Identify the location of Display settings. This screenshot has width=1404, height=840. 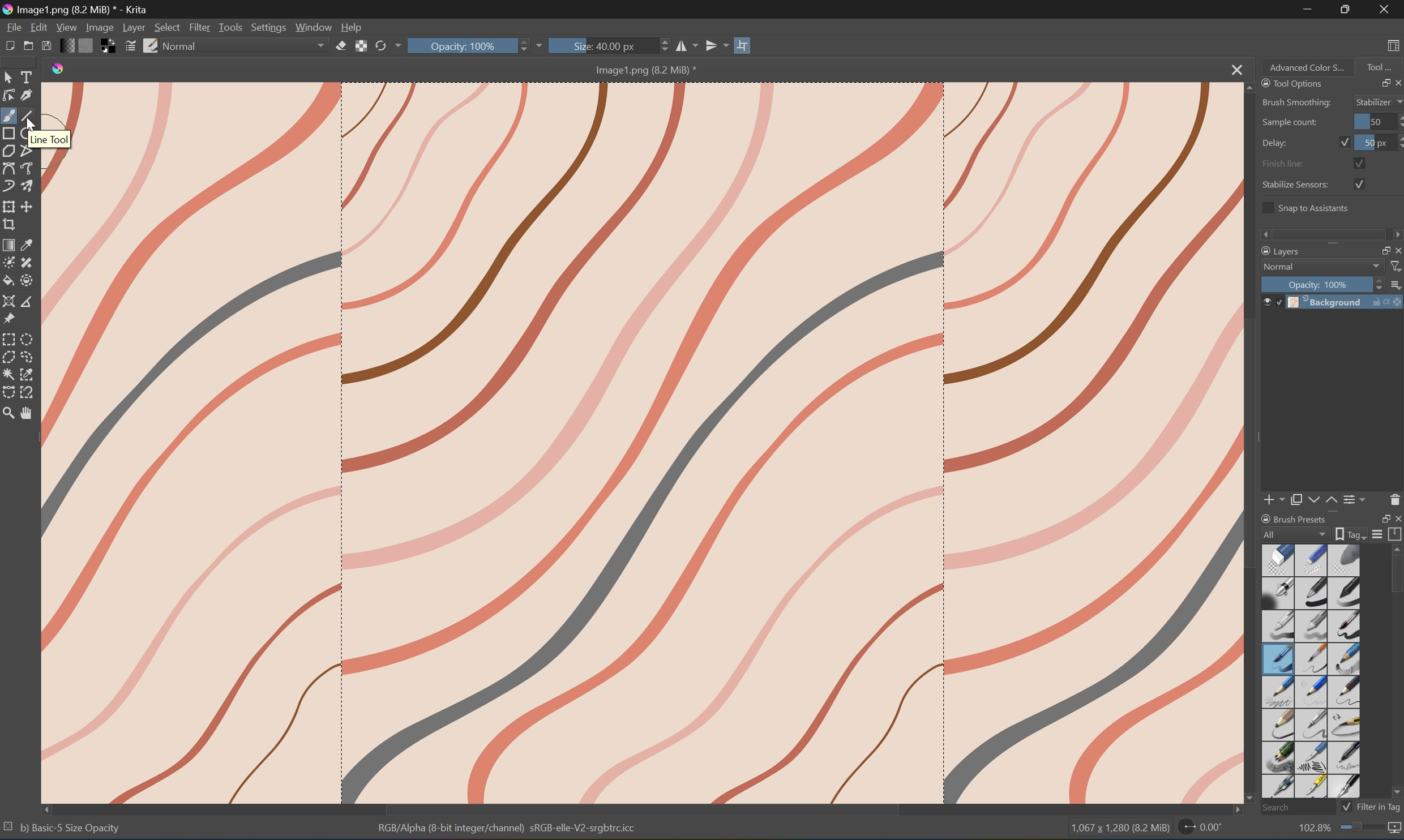
(1379, 535).